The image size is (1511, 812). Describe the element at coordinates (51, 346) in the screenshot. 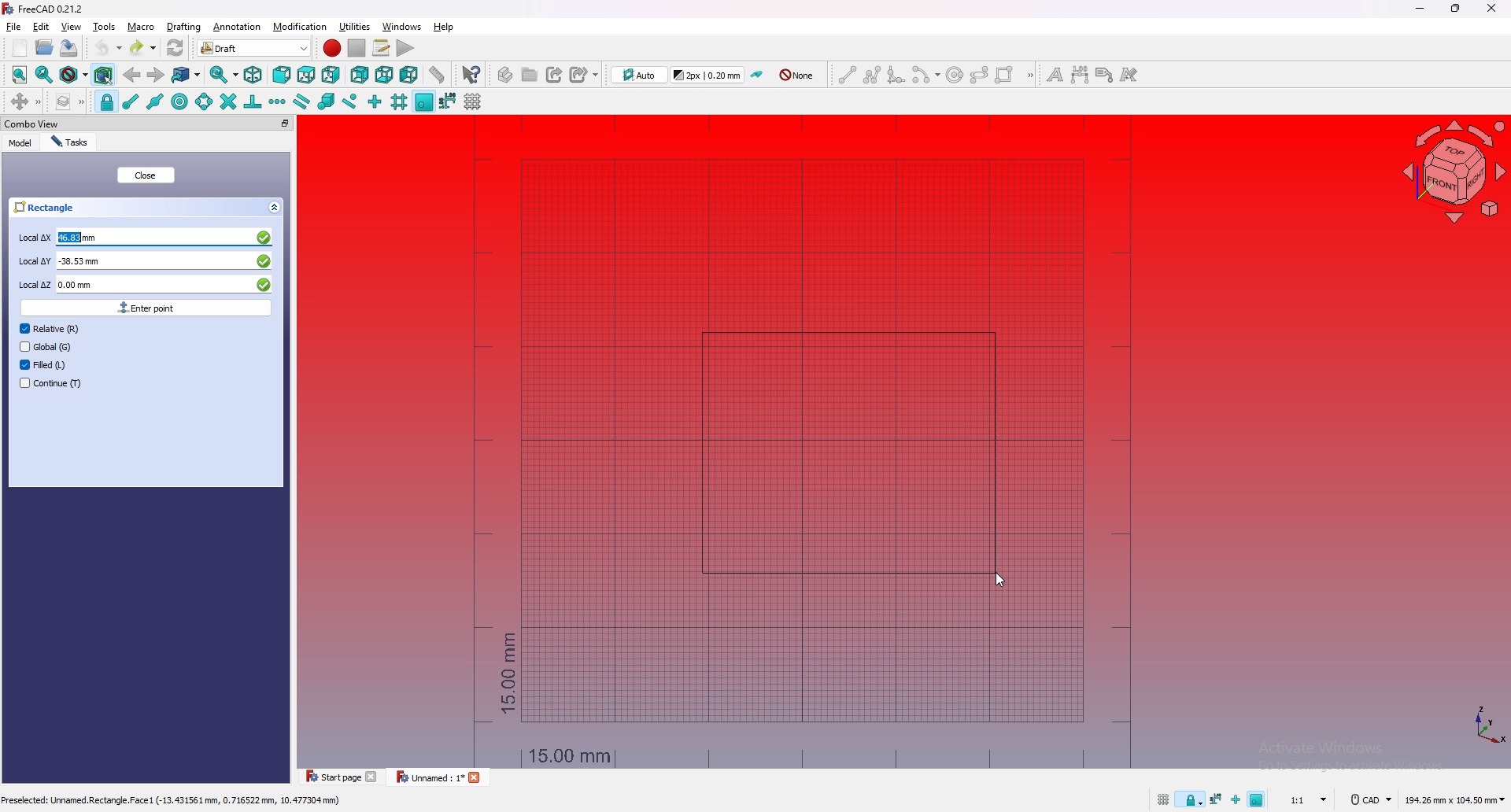

I see `global (G)` at that location.